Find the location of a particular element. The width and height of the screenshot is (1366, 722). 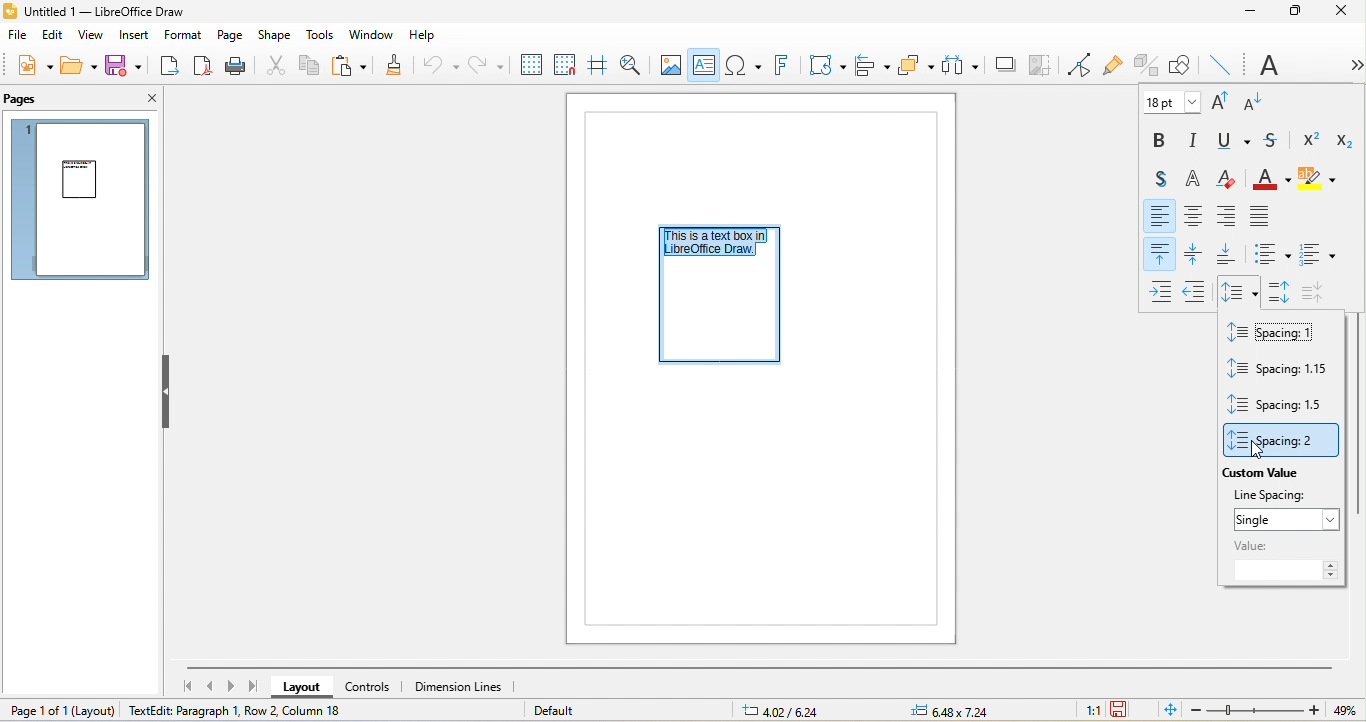

align top is located at coordinates (1160, 253).